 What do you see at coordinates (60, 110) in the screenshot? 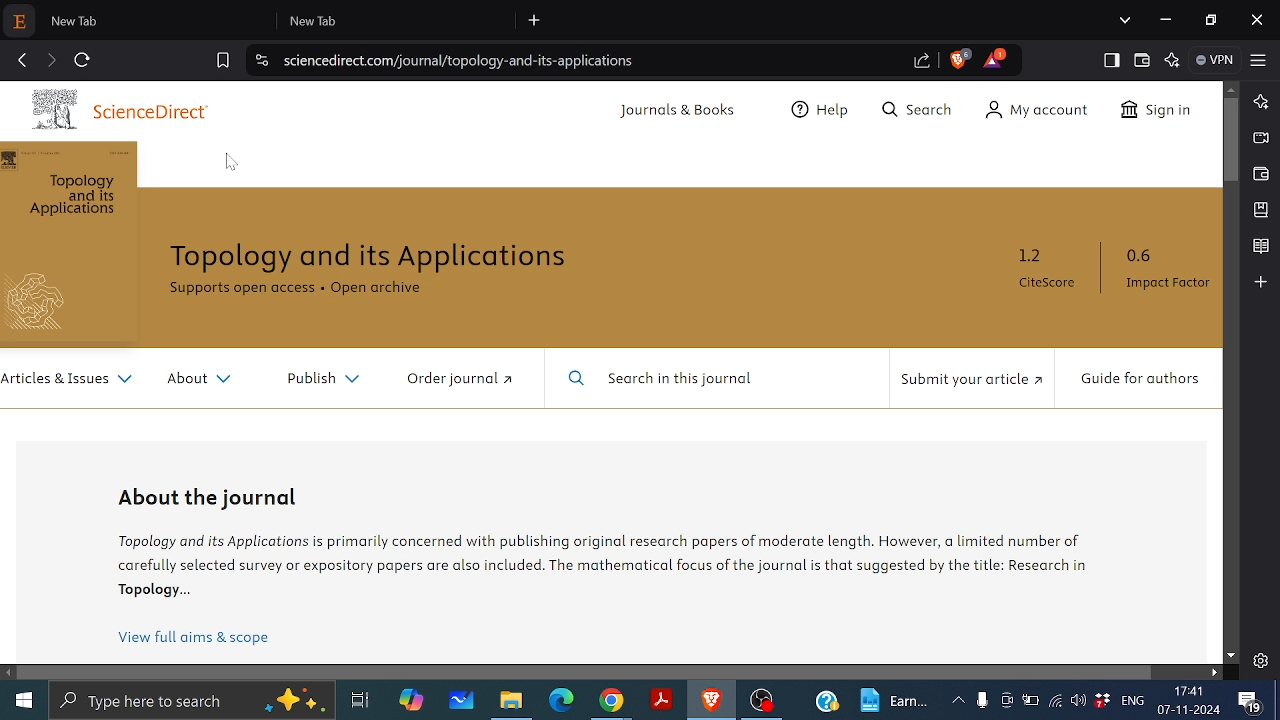
I see `scienceDirect logo` at bounding box center [60, 110].